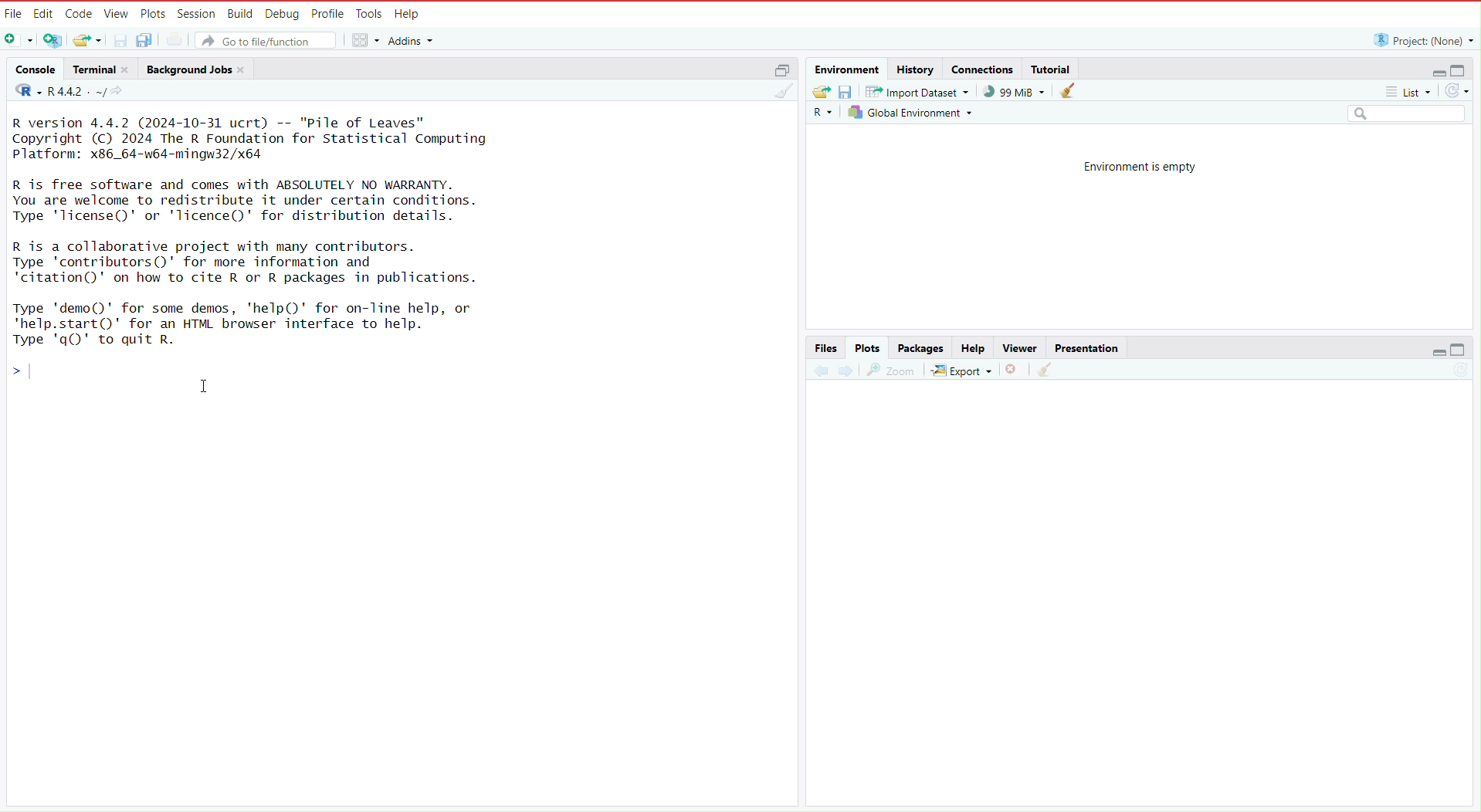 This screenshot has height=812, width=1481. Describe the element at coordinates (77, 92) in the screenshot. I see `R 4.4.2 . ~/` at that location.